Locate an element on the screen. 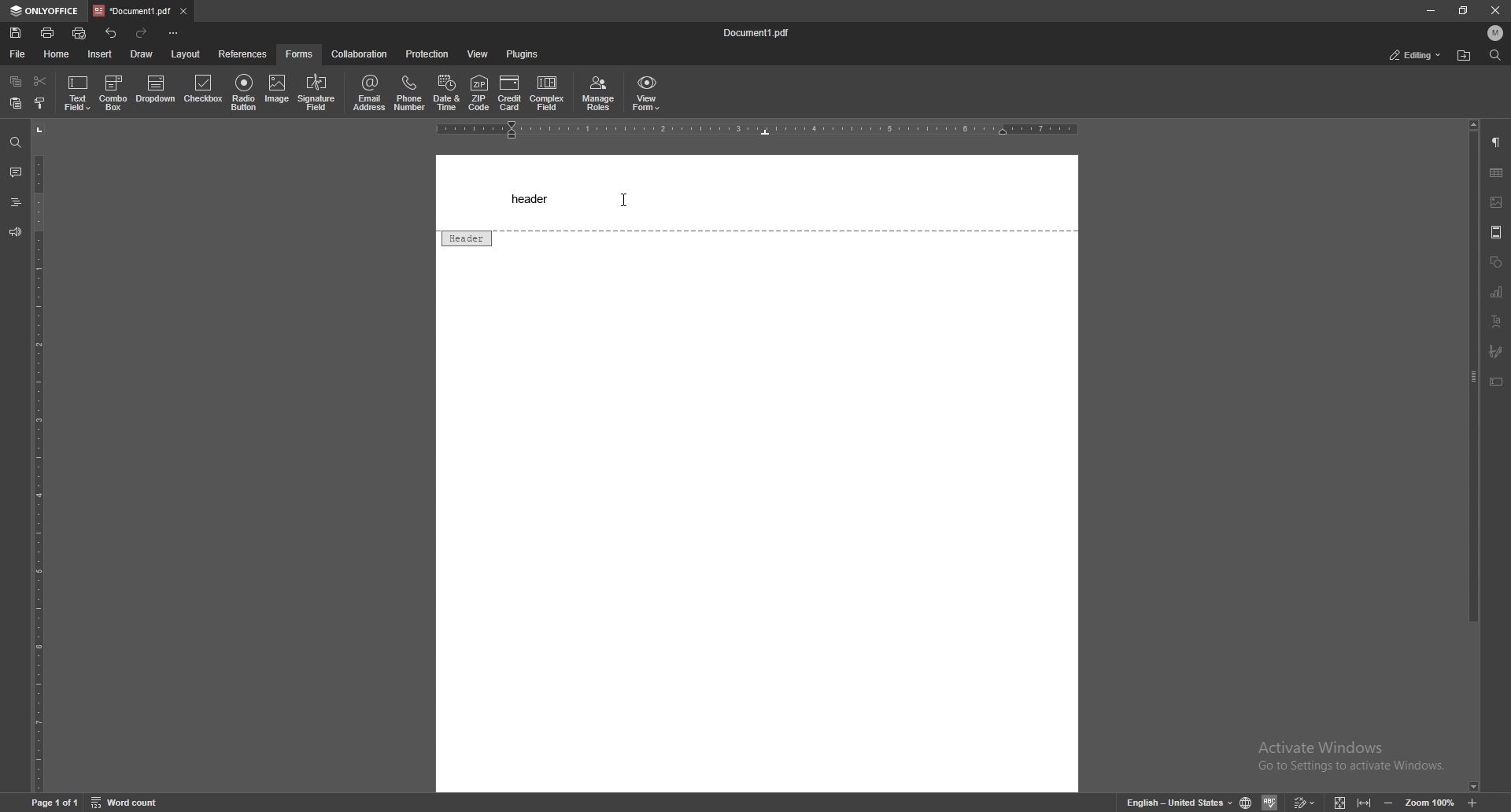 The height and width of the screenshot is (812, 1511). text box is located at coordinates (1497, 382).